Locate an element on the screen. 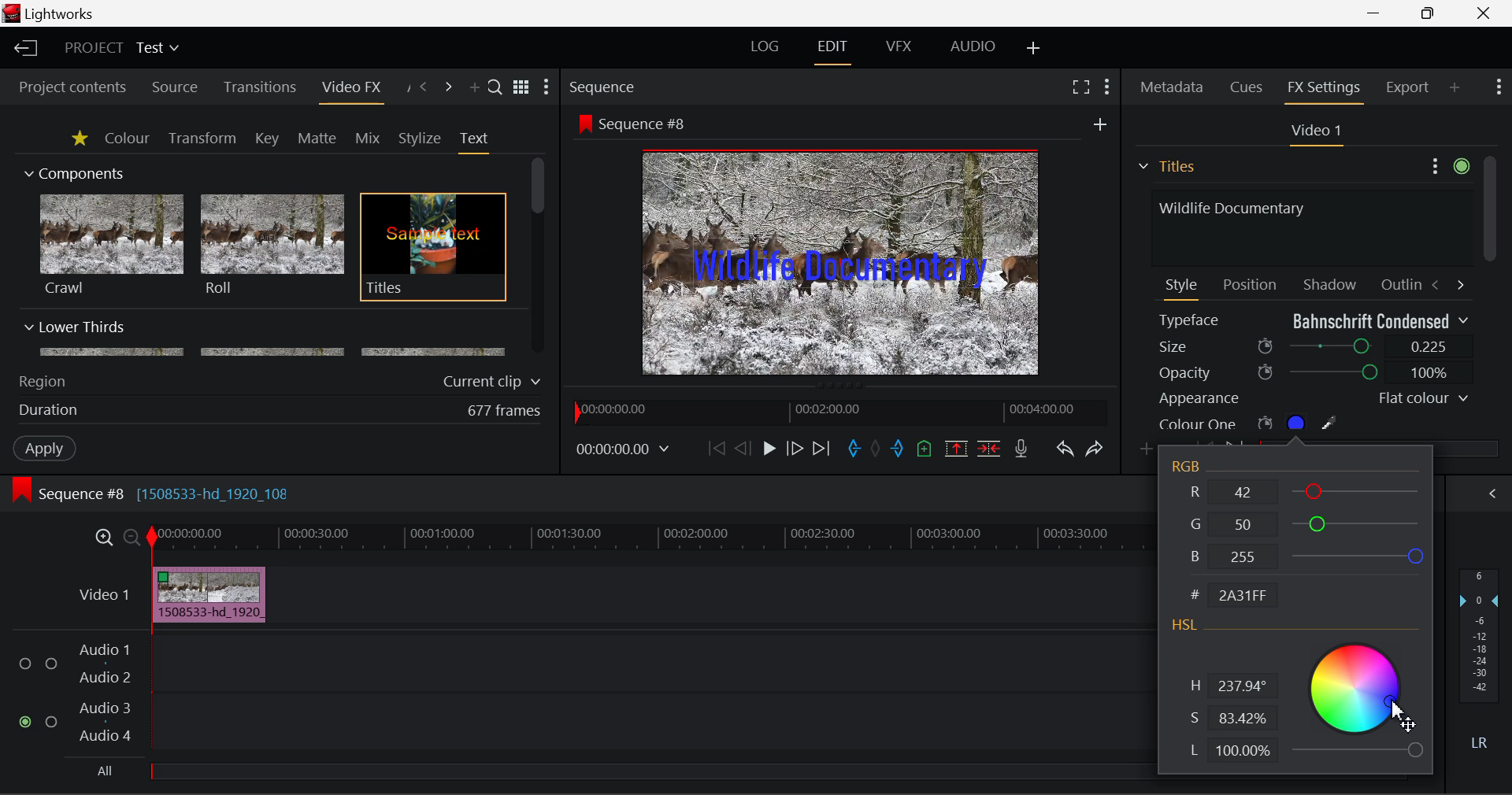 Image resolution: width=1512 pixels, height=795 pixels. G is located at coordinates (1306, 521).